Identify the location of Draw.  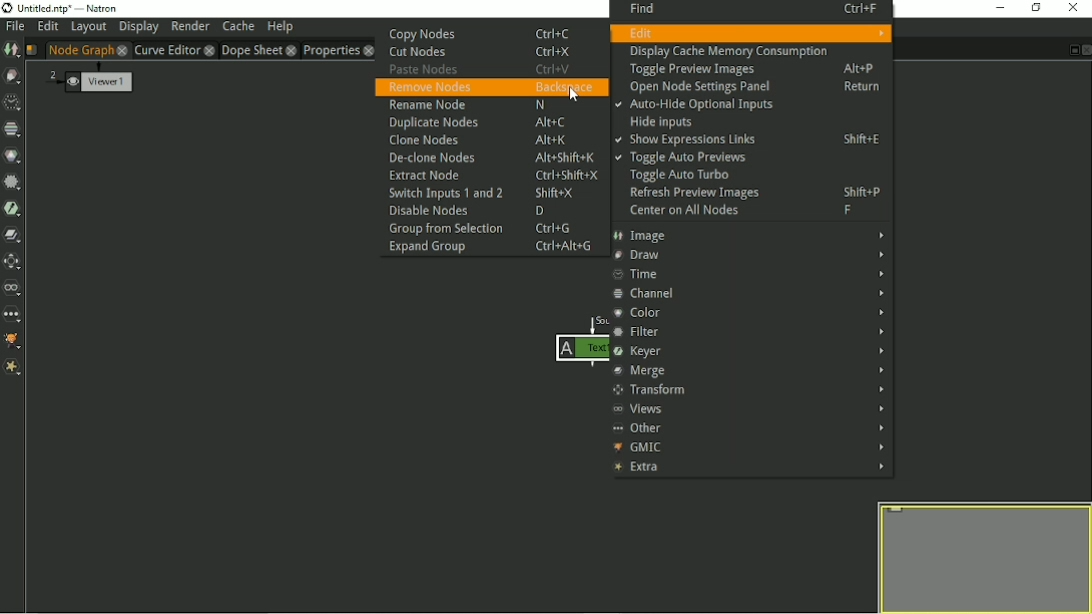
(751, 255).